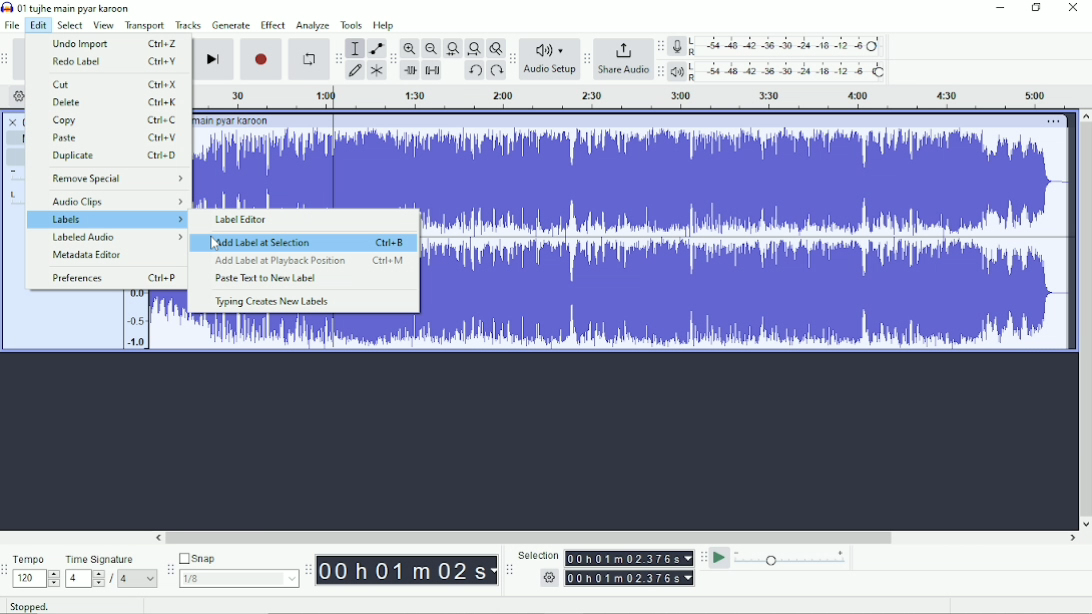  What do you see at coordinates (355, 70) in the screenshot?
I see `Draw tool` at bounding box center [355, 70].